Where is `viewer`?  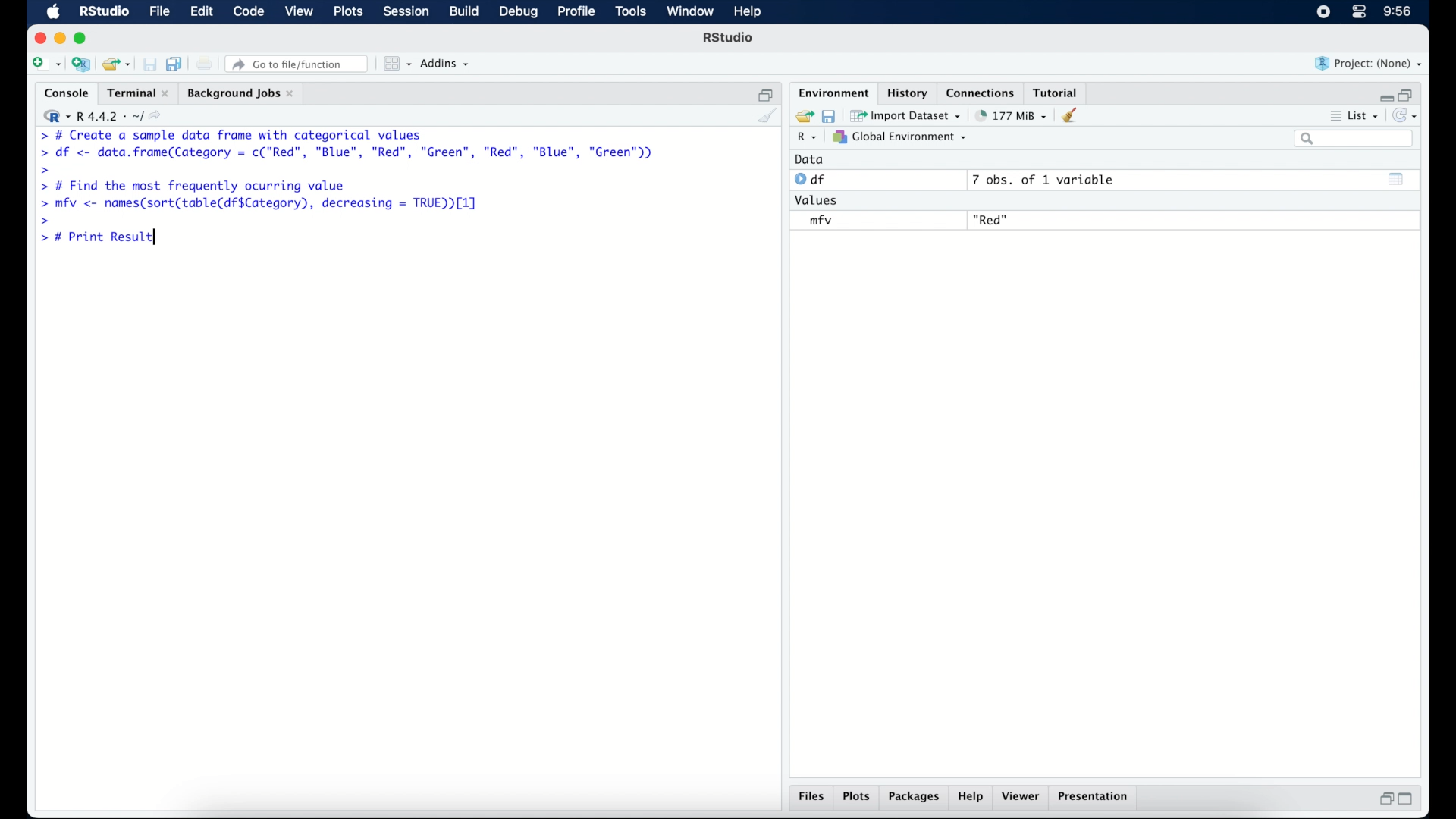
viewer is located at coordinates (1022, 798).